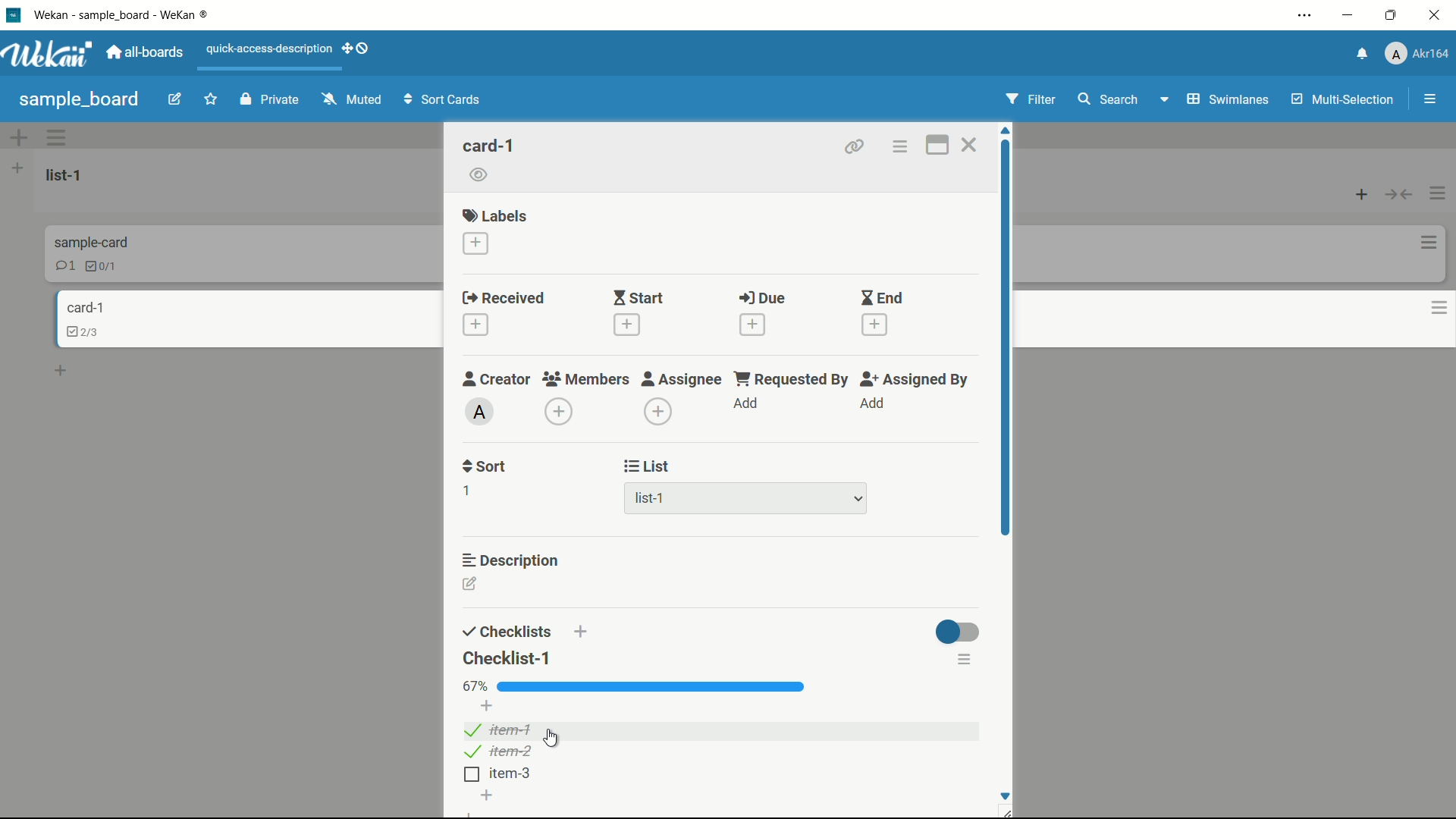 This screenshot has width=1456, height=819. I want to click on search, so click(1112, 101).